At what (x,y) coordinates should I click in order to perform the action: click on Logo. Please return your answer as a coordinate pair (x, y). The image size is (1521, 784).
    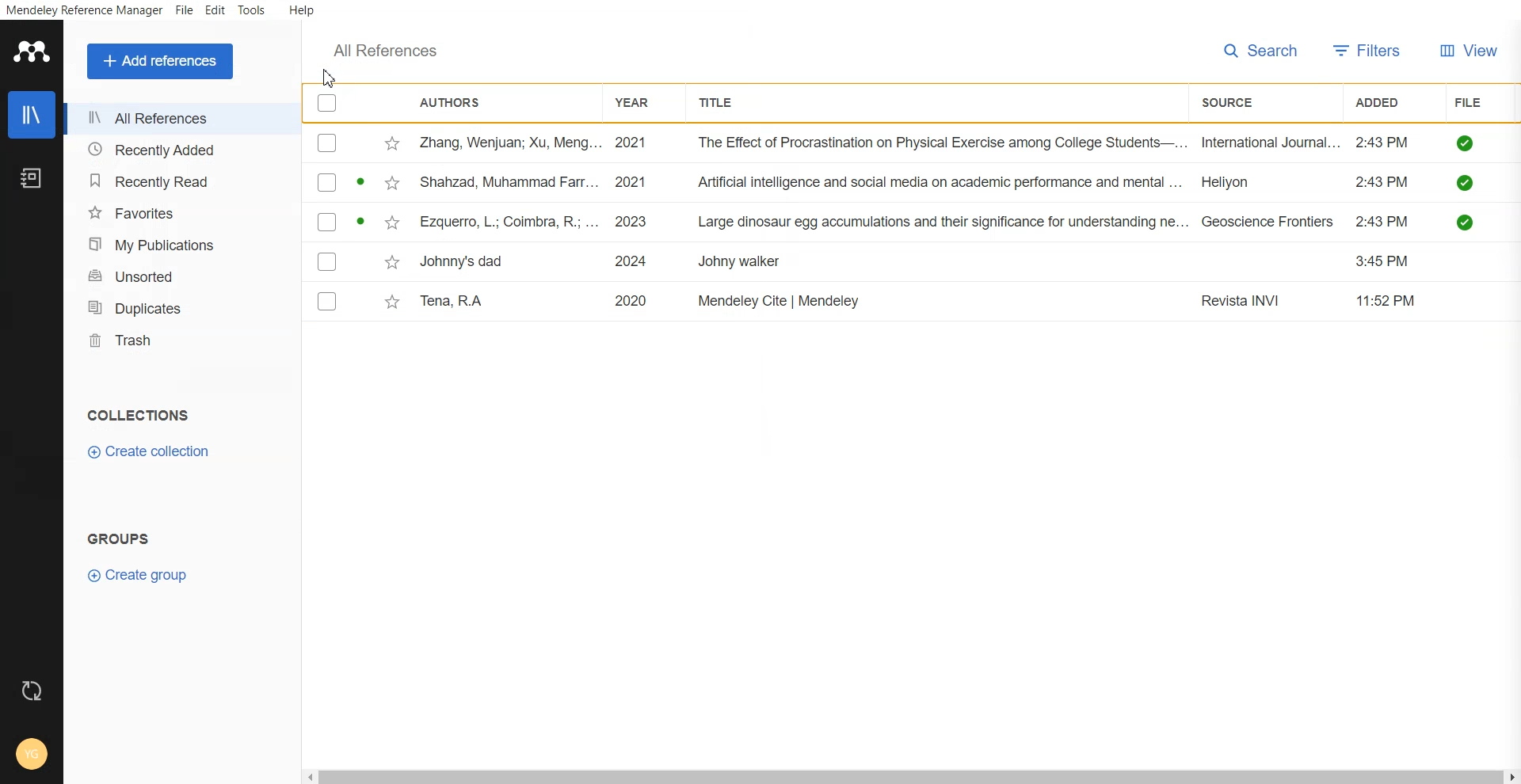
    Looking at the image, I should click on (30, 51).